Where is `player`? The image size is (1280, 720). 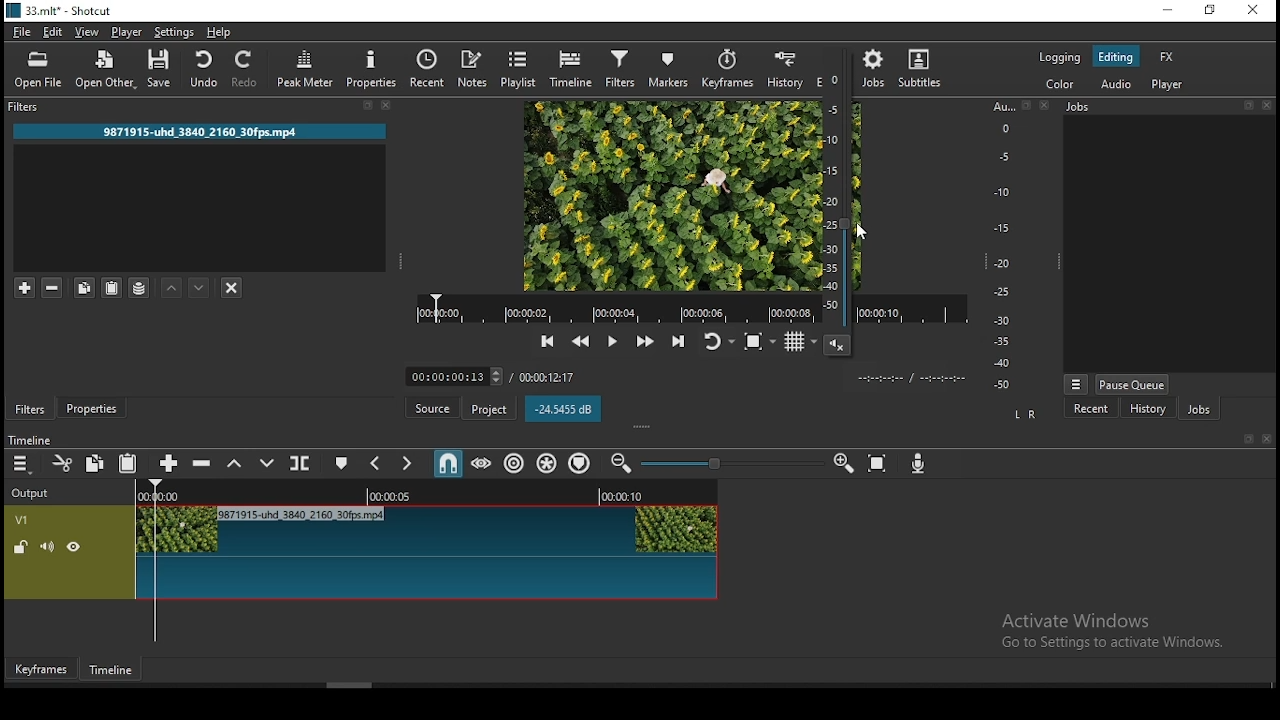
player is located at coordinates (127, 31).